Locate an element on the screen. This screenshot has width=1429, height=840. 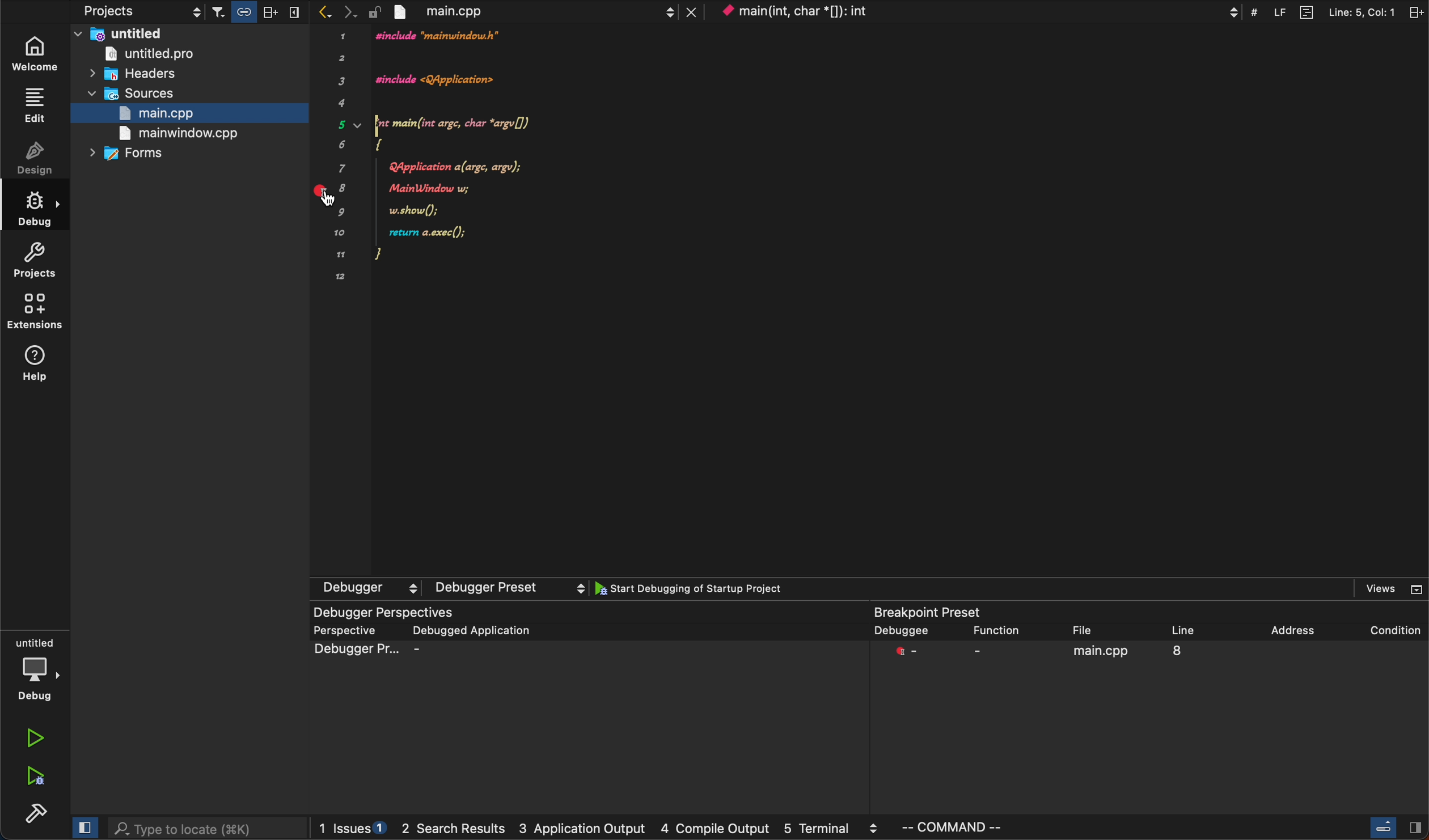
main.cpp is located at coordinates (151, 114).